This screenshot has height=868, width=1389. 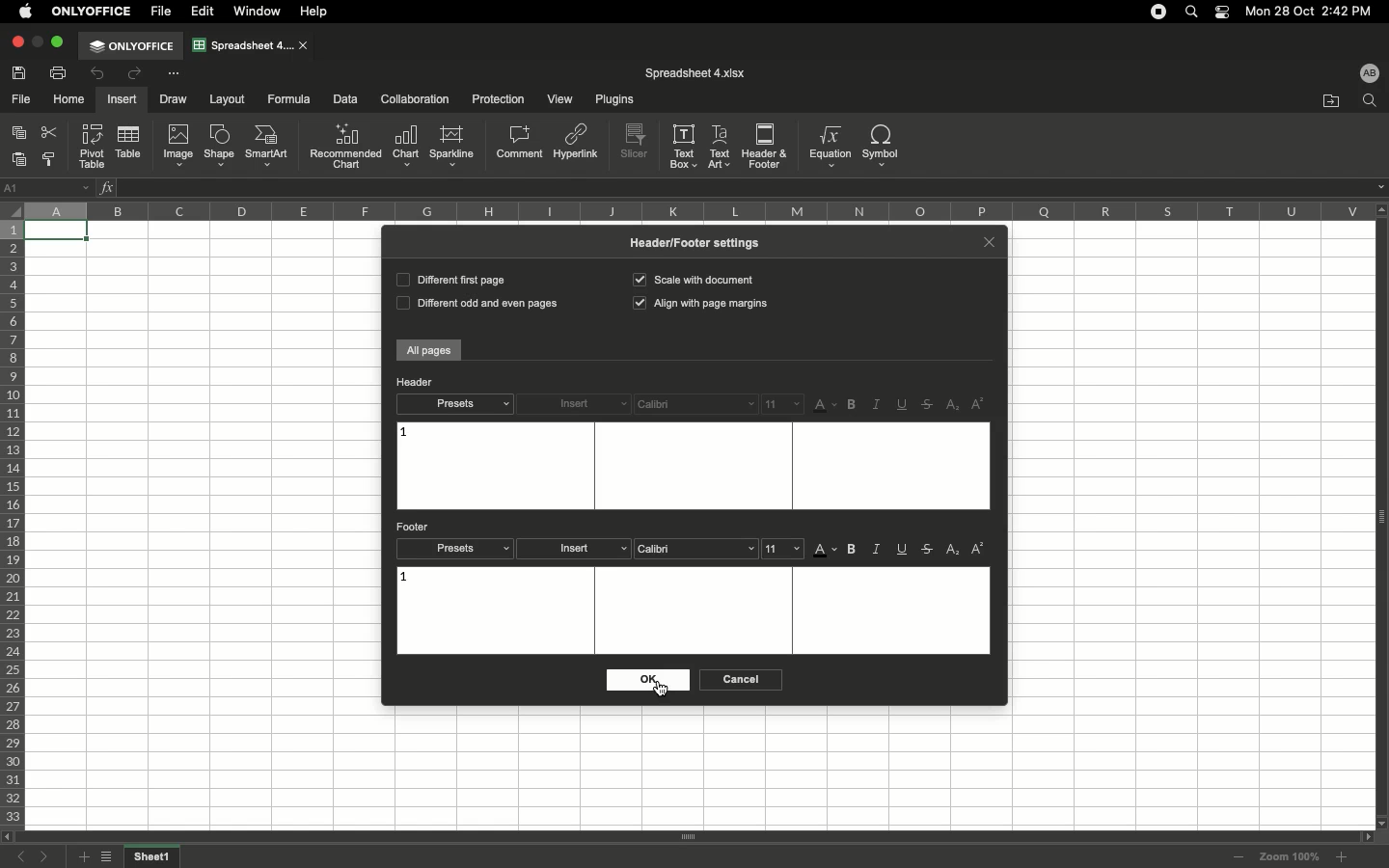 What do you see at coordinates (694, 210) in the screenshot?
I see `Column` at bounding box center [694, 210].